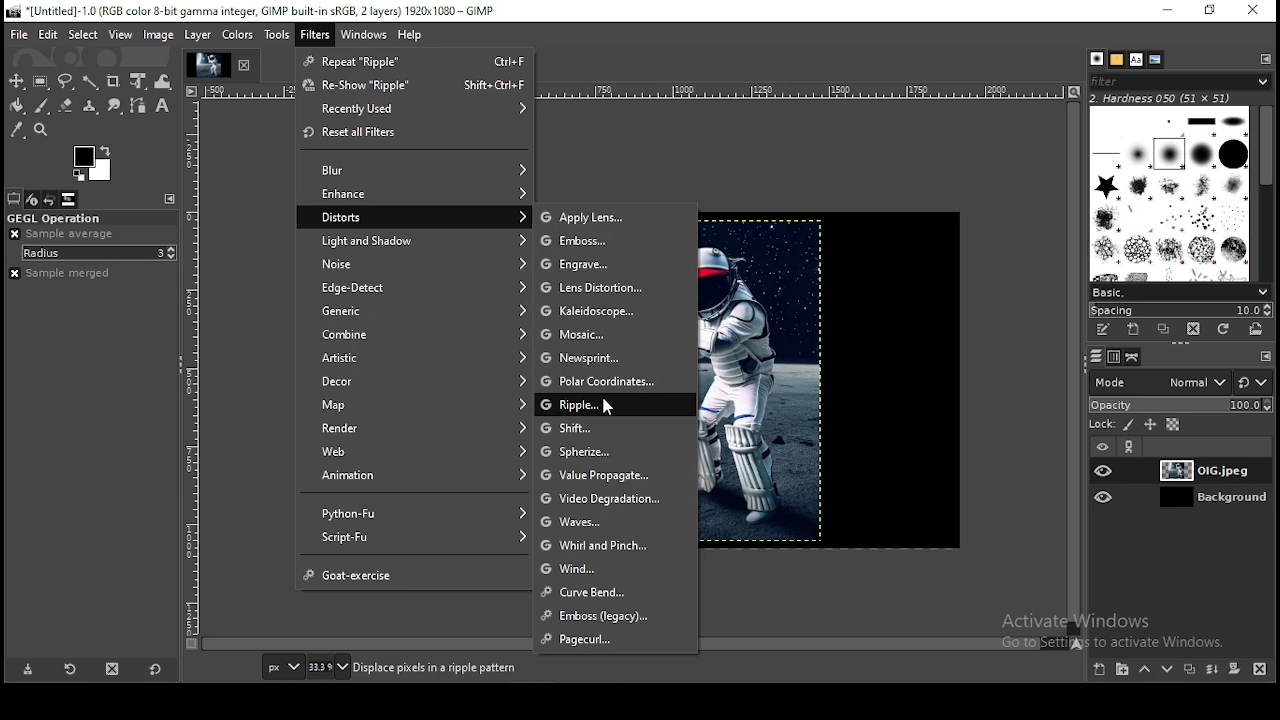  What do you see at coordinates (1133, 446) in the screenshot?
I see `link` at bounding box center [1133, 446].